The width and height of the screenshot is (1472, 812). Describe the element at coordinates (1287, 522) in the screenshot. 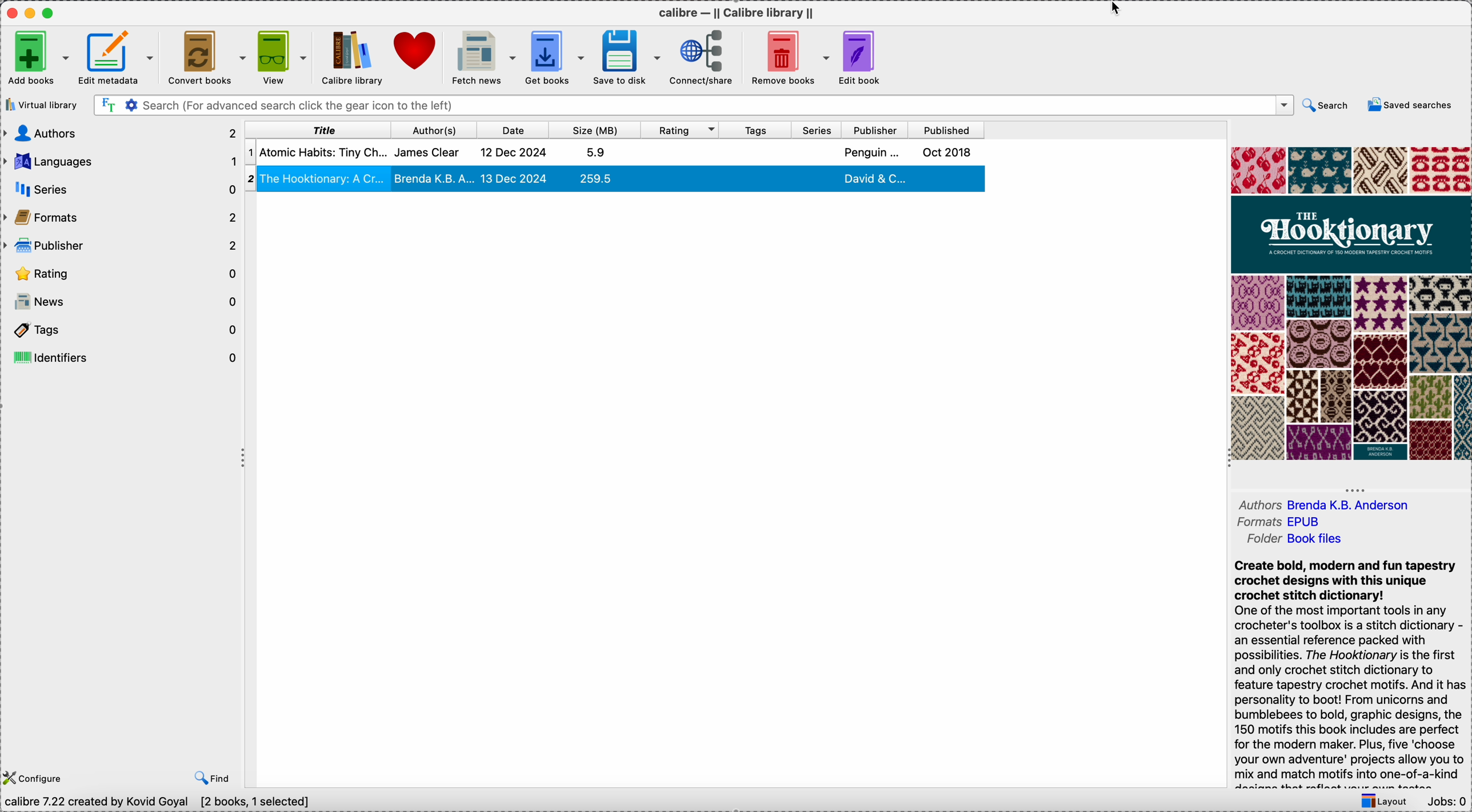

I see `formats EPUB` at that location.